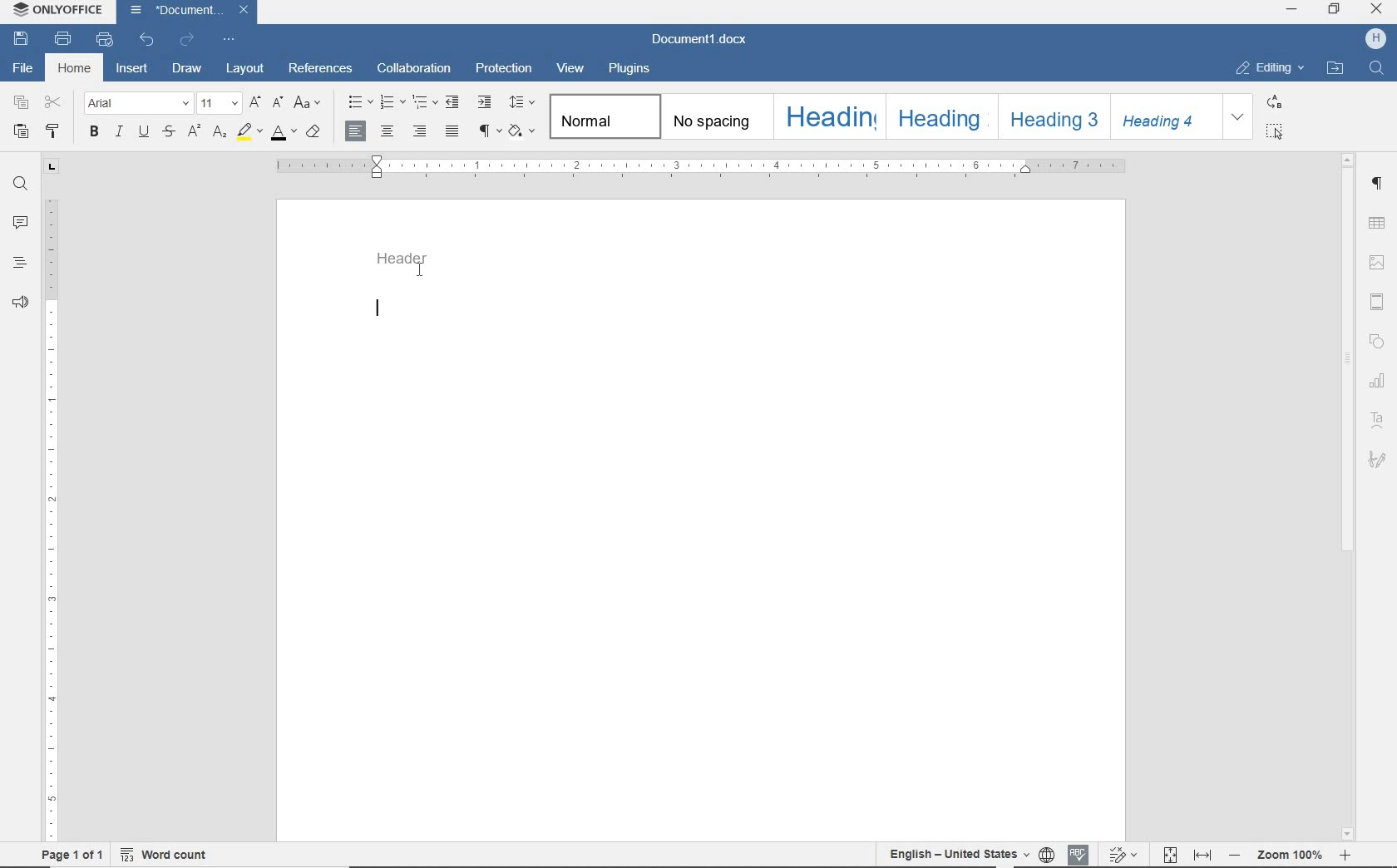 The height and width of the screenshot is (868, 1397). I want to click on Heading4, so click(1164, 121).